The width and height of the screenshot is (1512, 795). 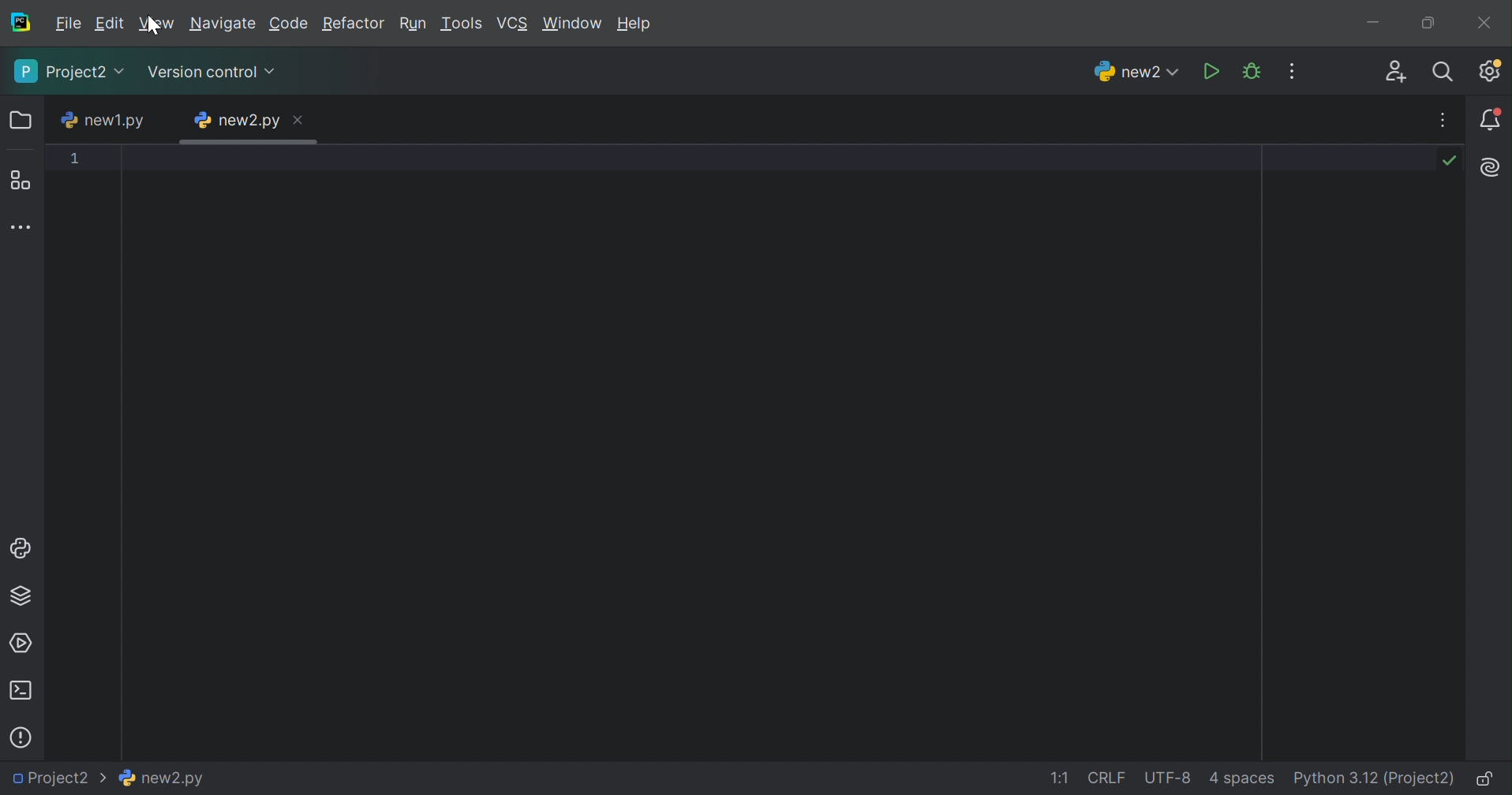 What do you see at coordinates (22, 228) in the screenshot?
I see `More tool windows` at bounding box center [22, 228].